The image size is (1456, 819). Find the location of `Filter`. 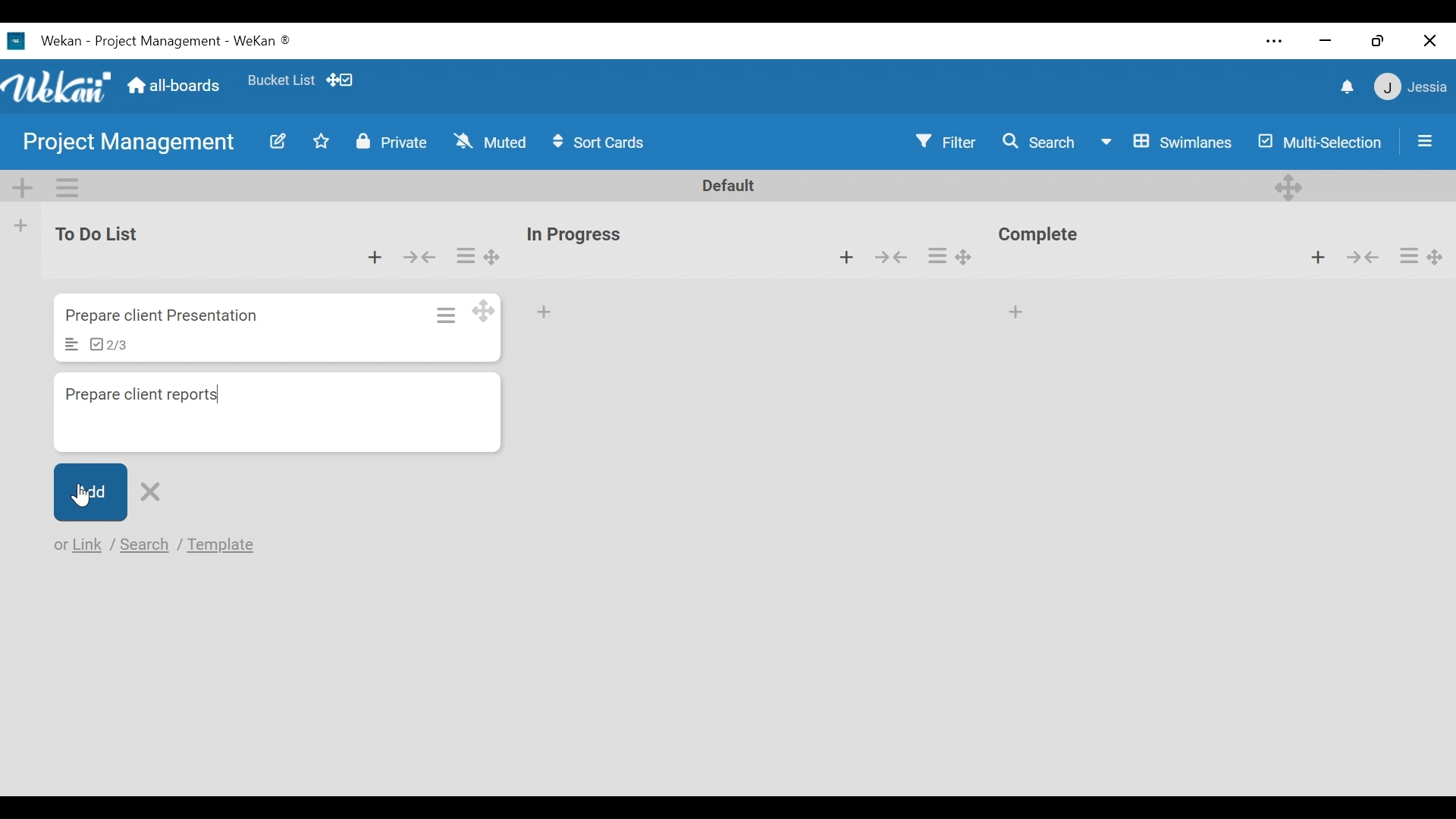

Filter is located at coordinates (947, 142).